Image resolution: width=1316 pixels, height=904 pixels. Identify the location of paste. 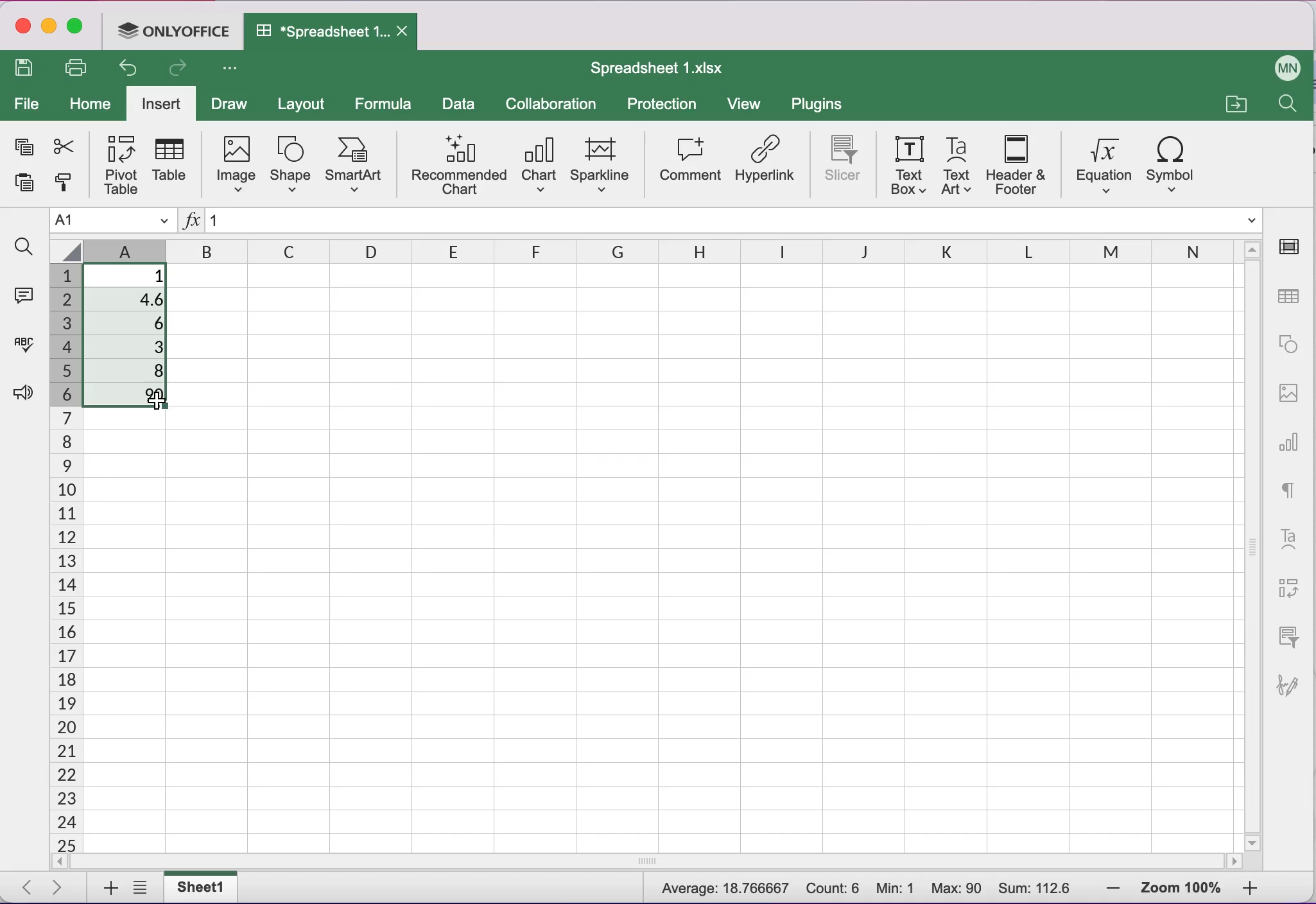
(24, 185).